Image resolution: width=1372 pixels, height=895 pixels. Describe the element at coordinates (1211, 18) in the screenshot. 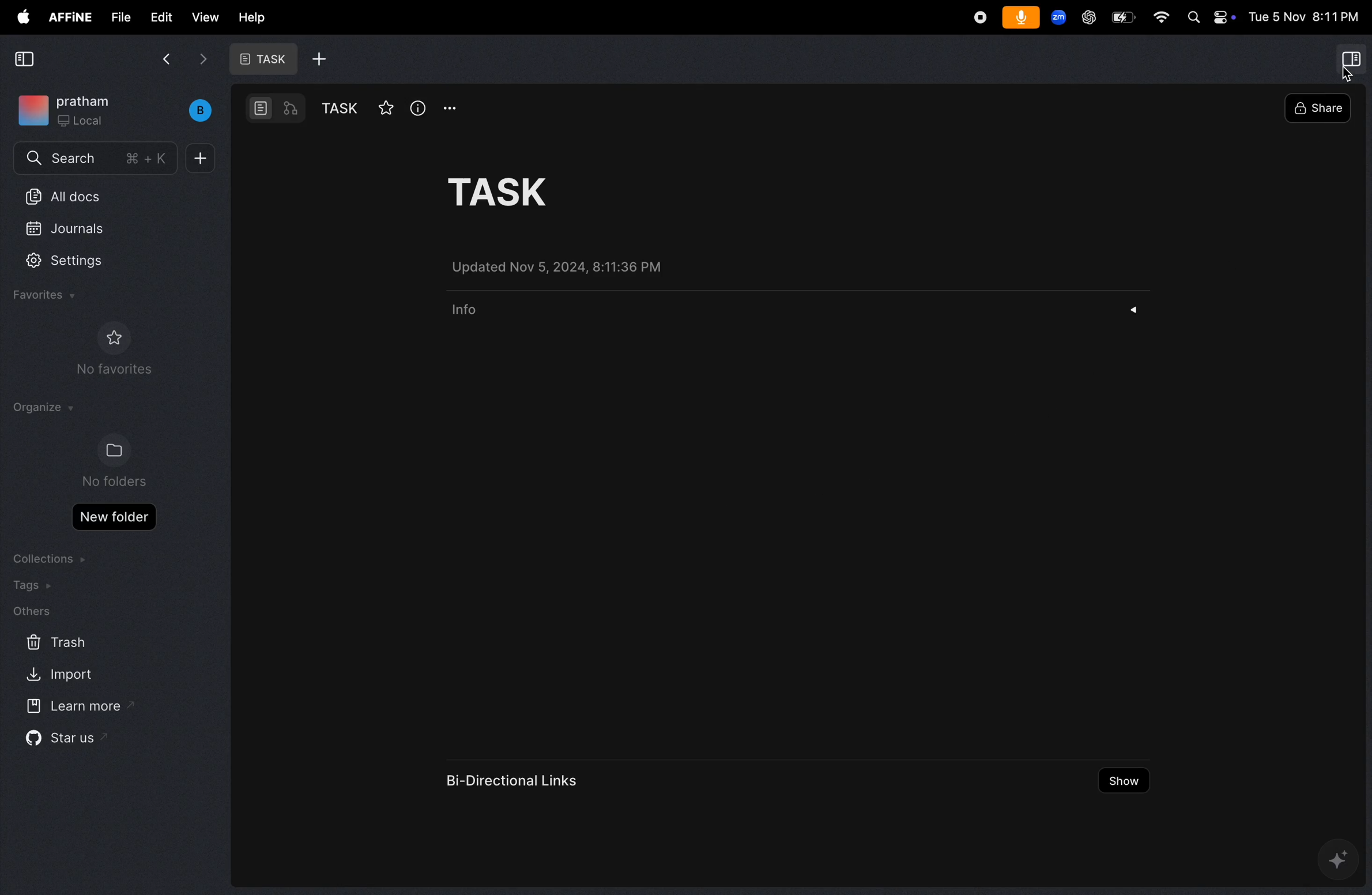

I see `apple widgets` at that location.